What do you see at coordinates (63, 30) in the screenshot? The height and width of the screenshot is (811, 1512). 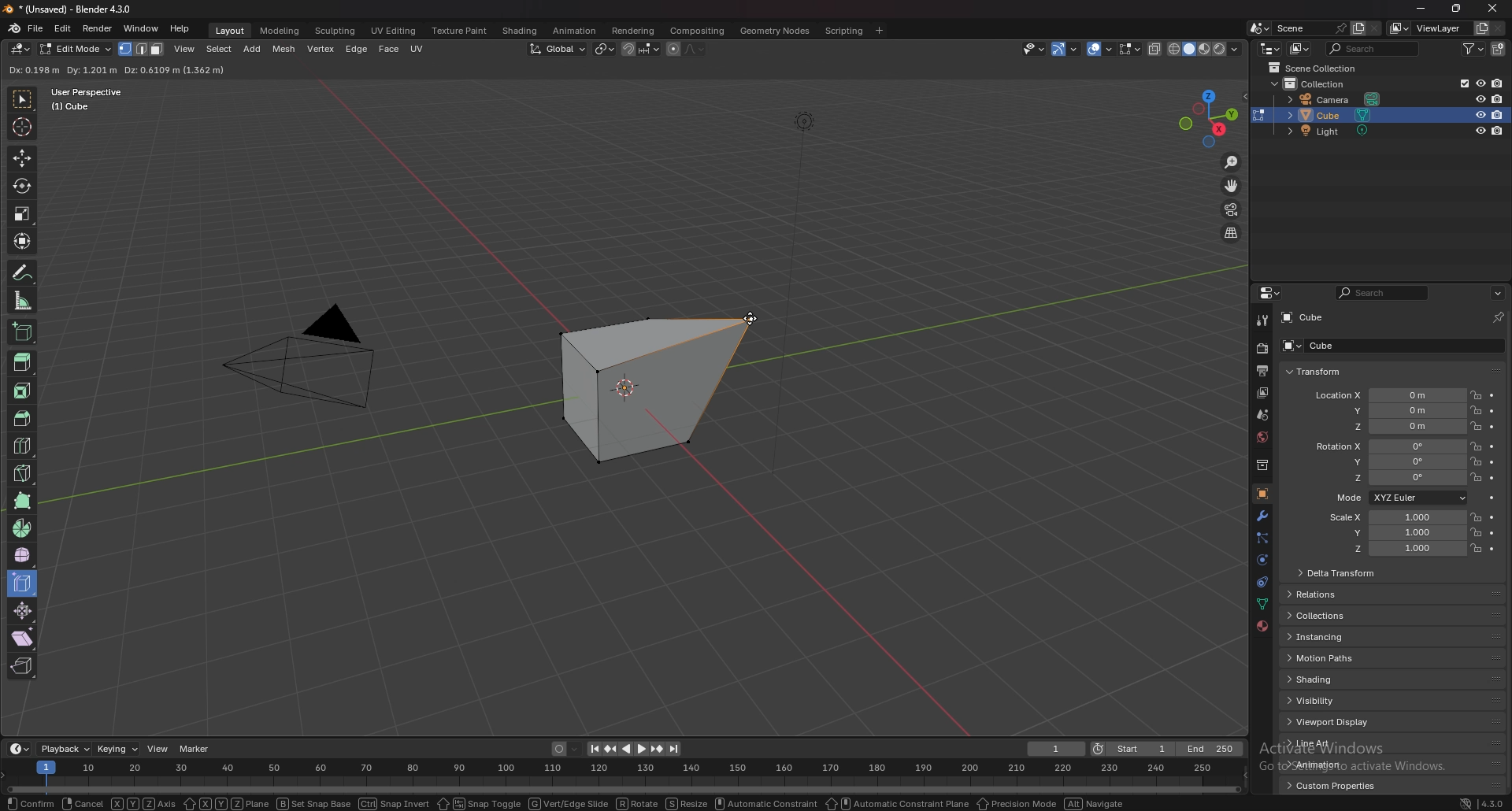 I see `edit` at bounding box center [63, 30].